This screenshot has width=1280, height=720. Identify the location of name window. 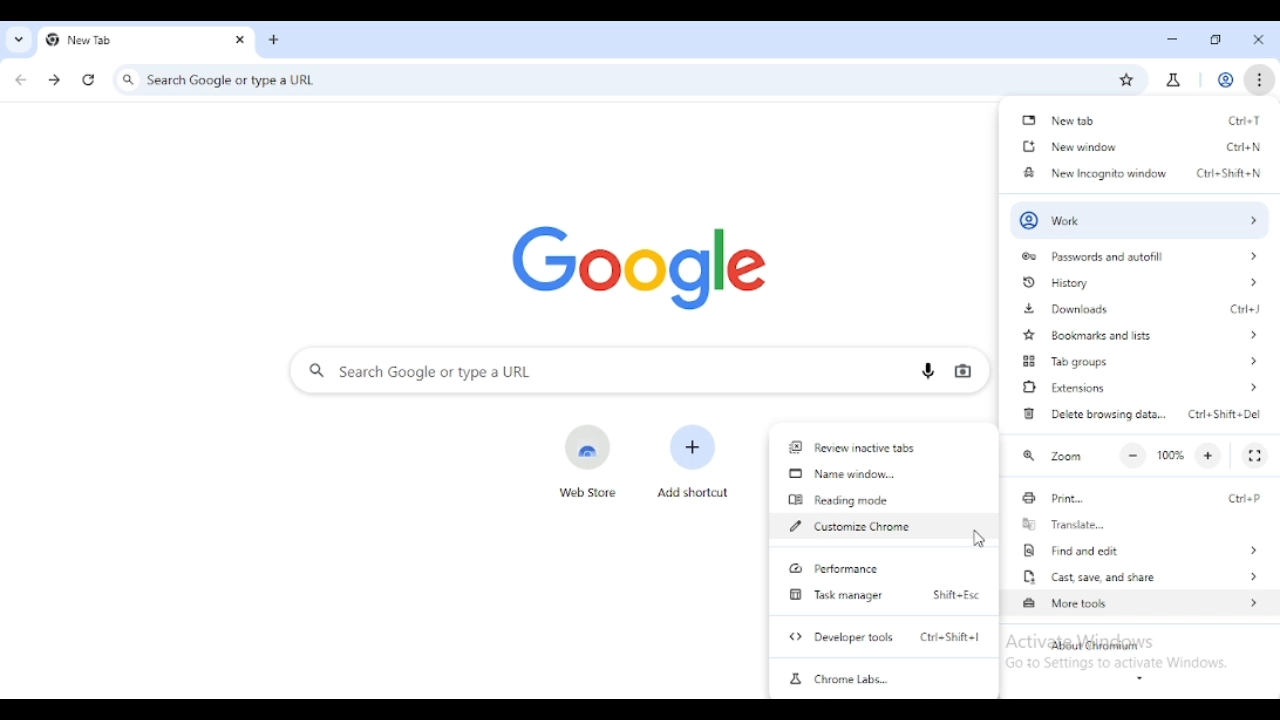
(842, 474).